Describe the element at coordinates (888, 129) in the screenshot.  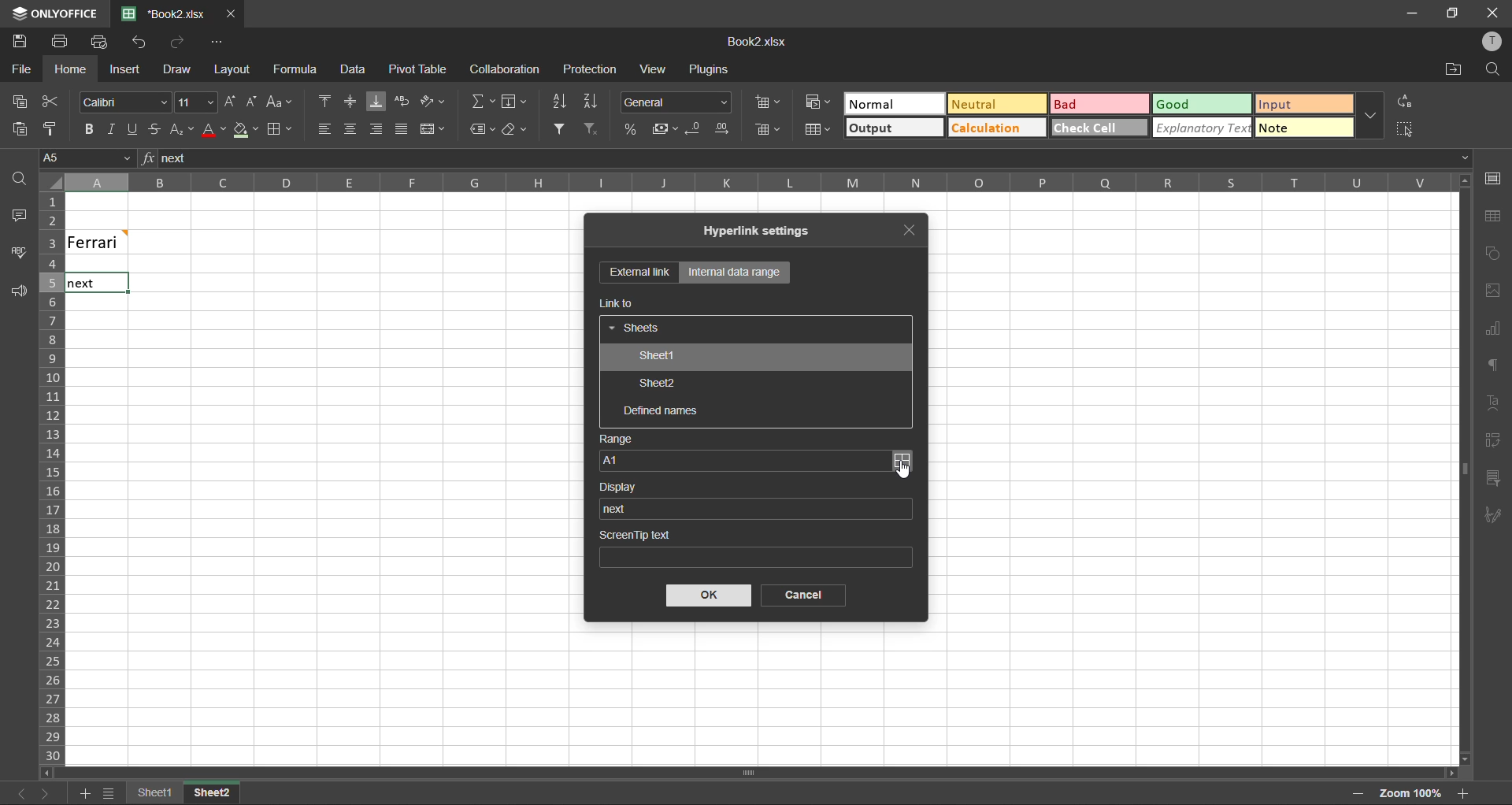
I see `output` at that location.